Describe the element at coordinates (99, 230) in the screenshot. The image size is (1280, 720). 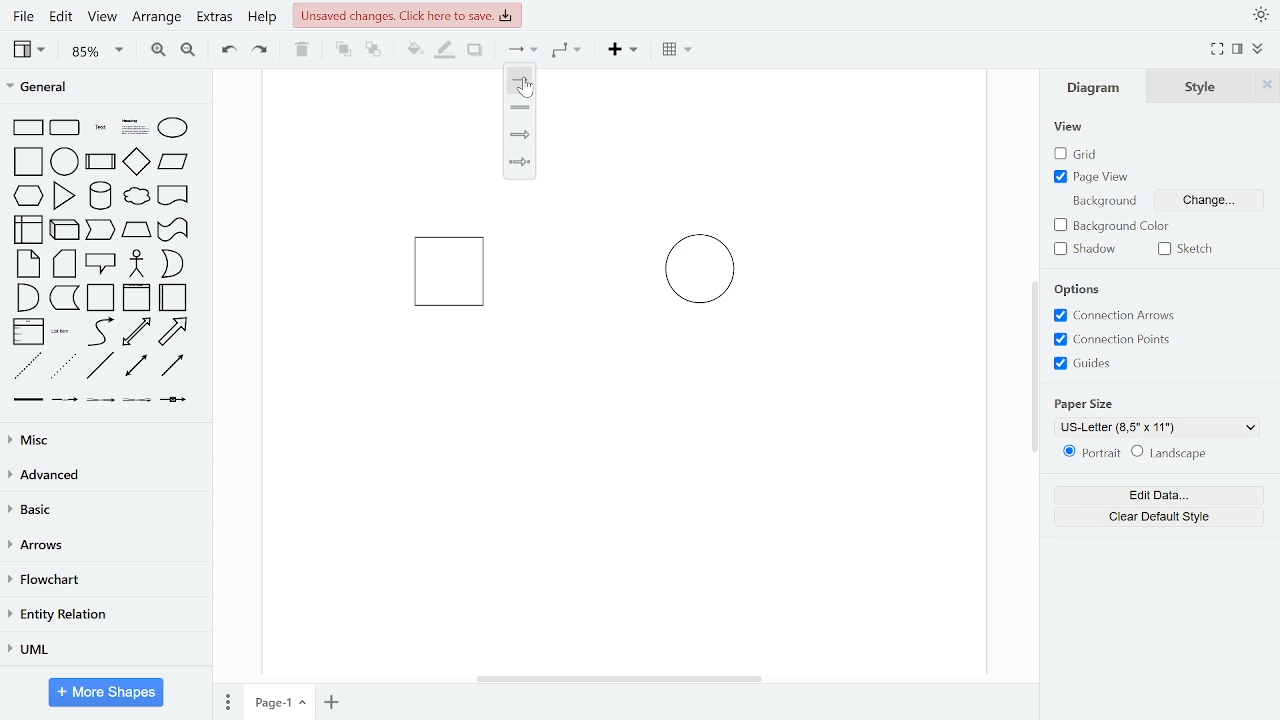
I see `step` at that location.